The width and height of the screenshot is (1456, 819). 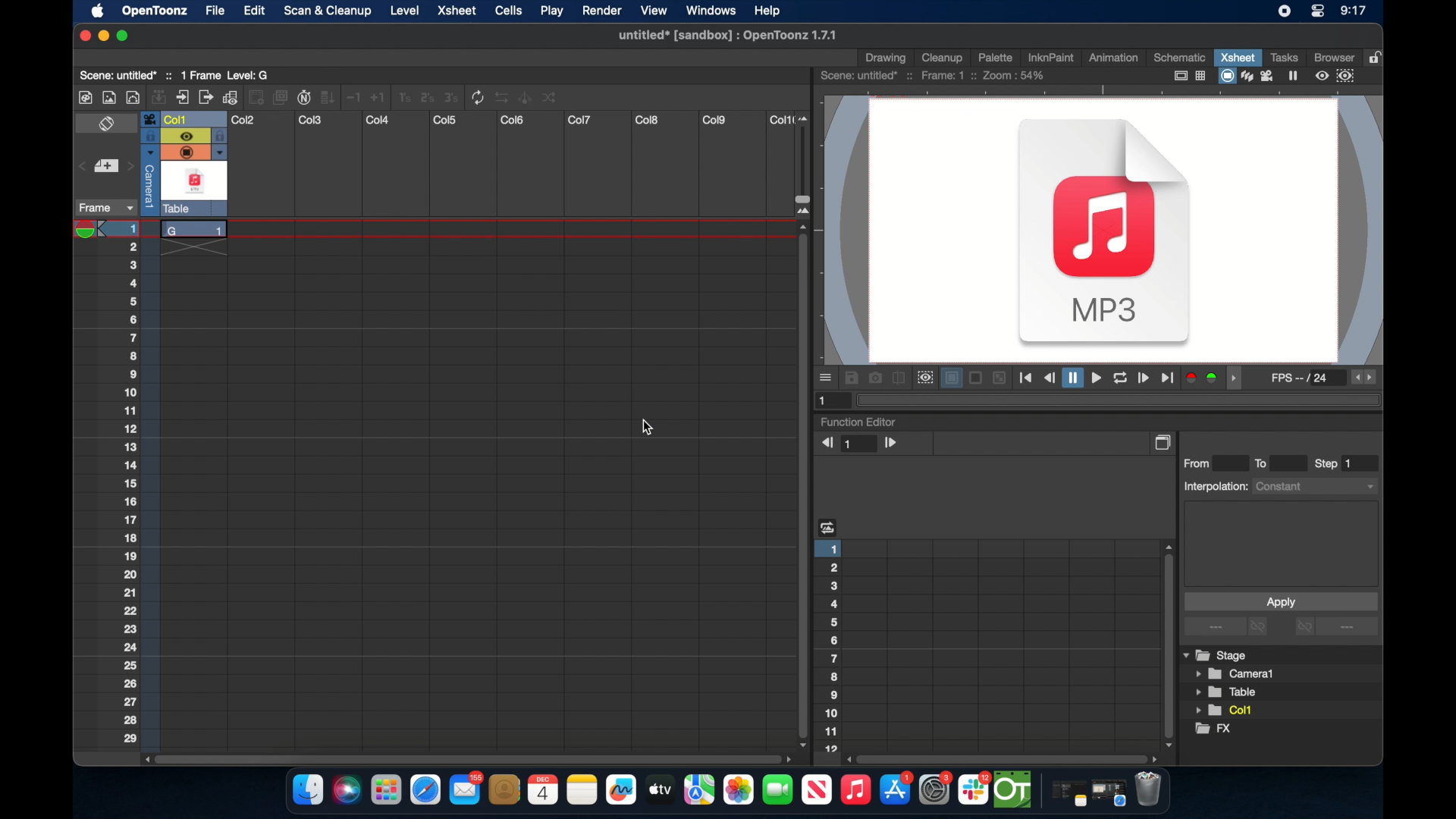 I want to click on fps, so click(x=1301, y=381).